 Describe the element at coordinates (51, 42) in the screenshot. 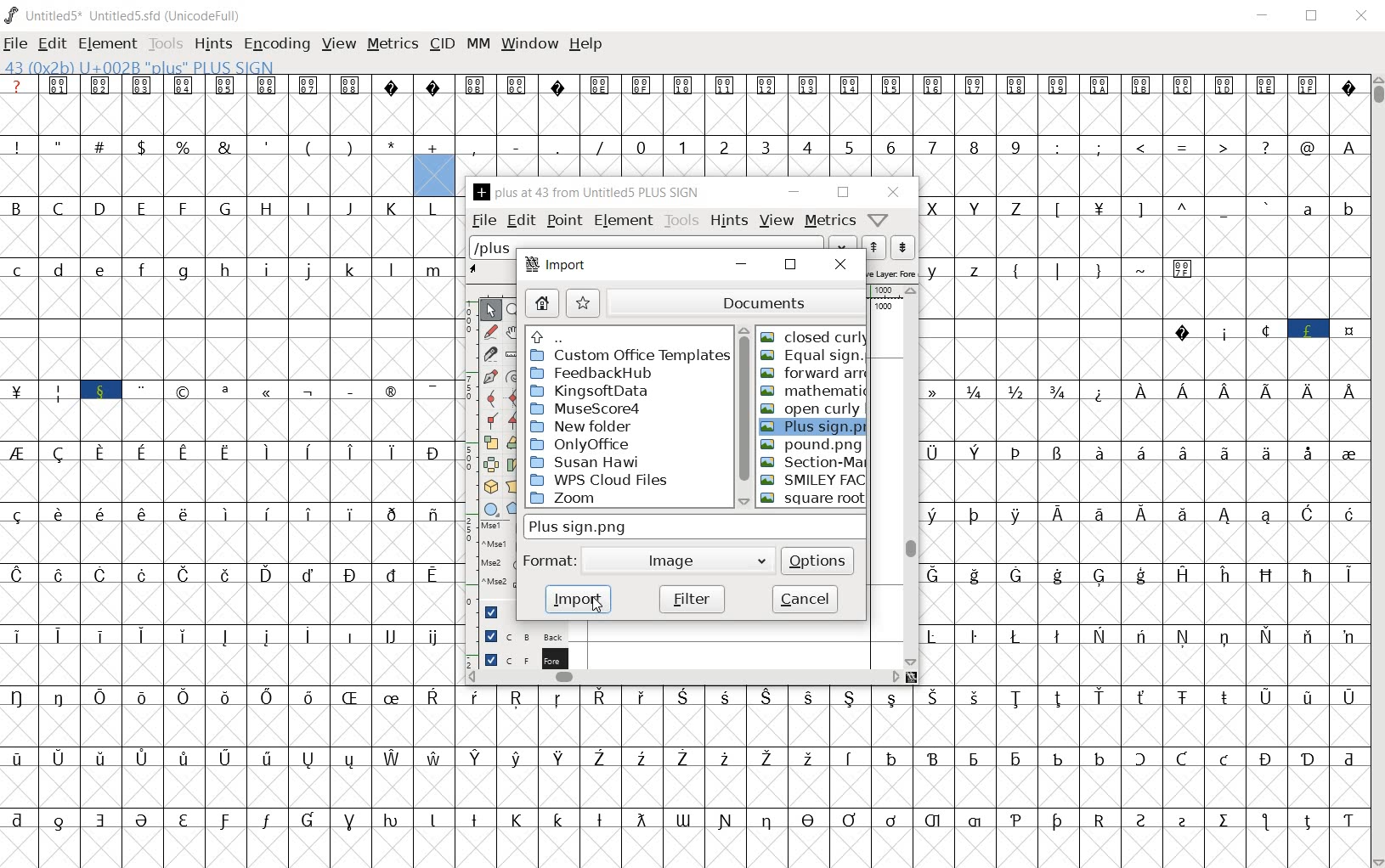

I see `edit` at that location.